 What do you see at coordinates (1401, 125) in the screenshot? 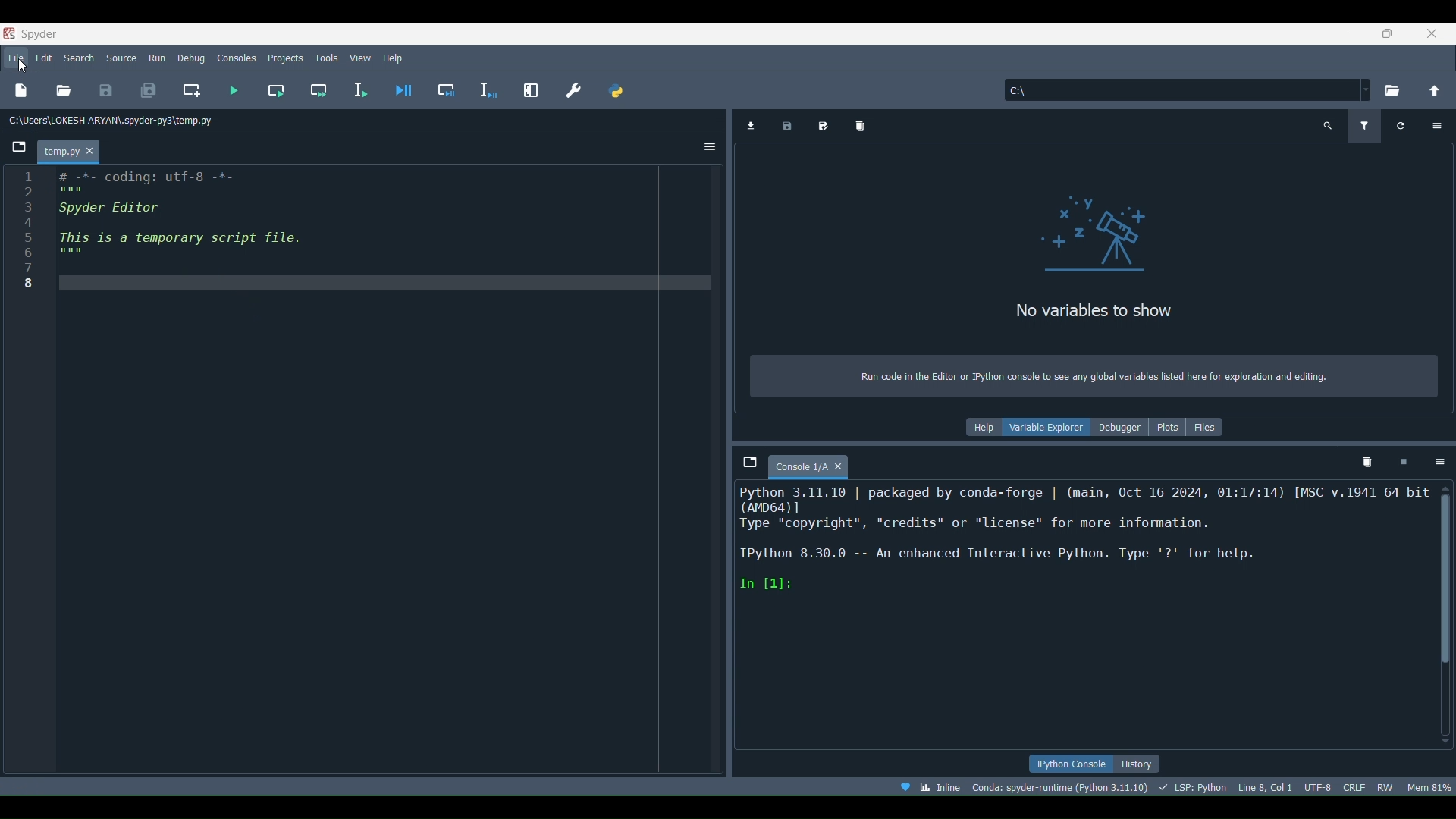
I see `Refresh variables (Ctrl + F)` at bounding box center [1401, 125].